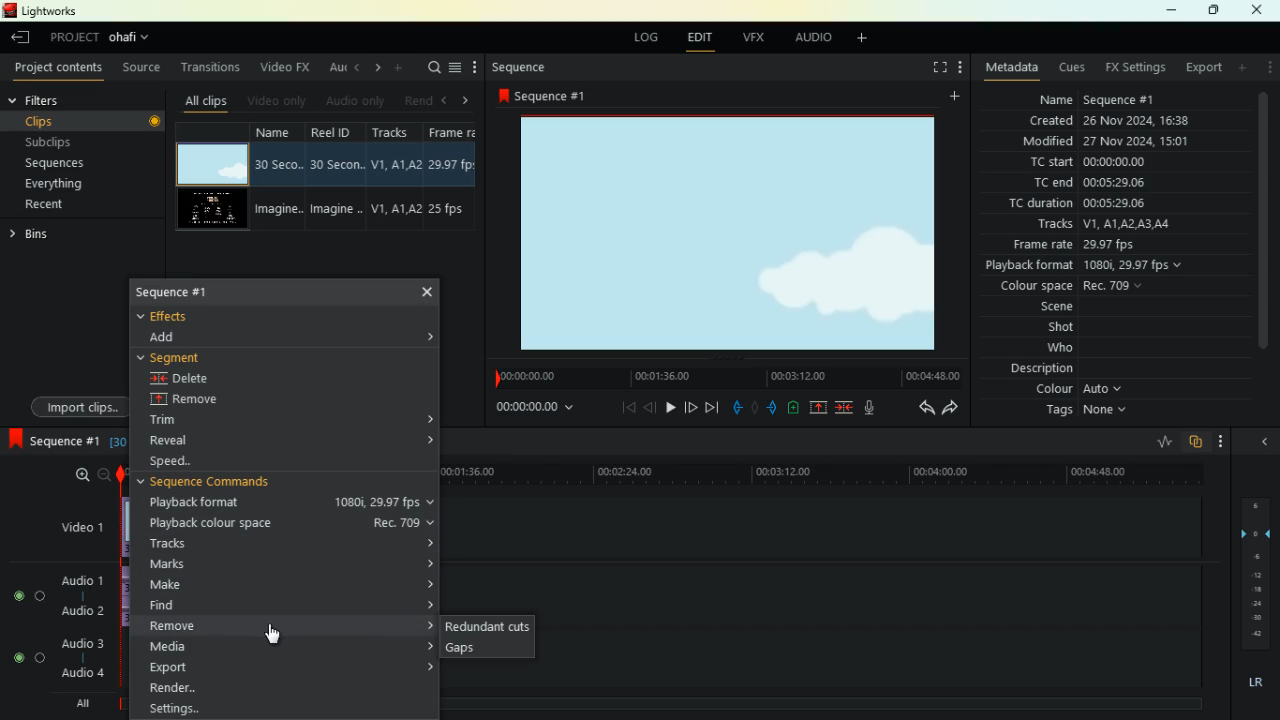 The width and height of the screenshot is (1280, 720). What do you see at coordinates (474, 67) in the screenshot?
I see `more` at bounding box center [474, 67].